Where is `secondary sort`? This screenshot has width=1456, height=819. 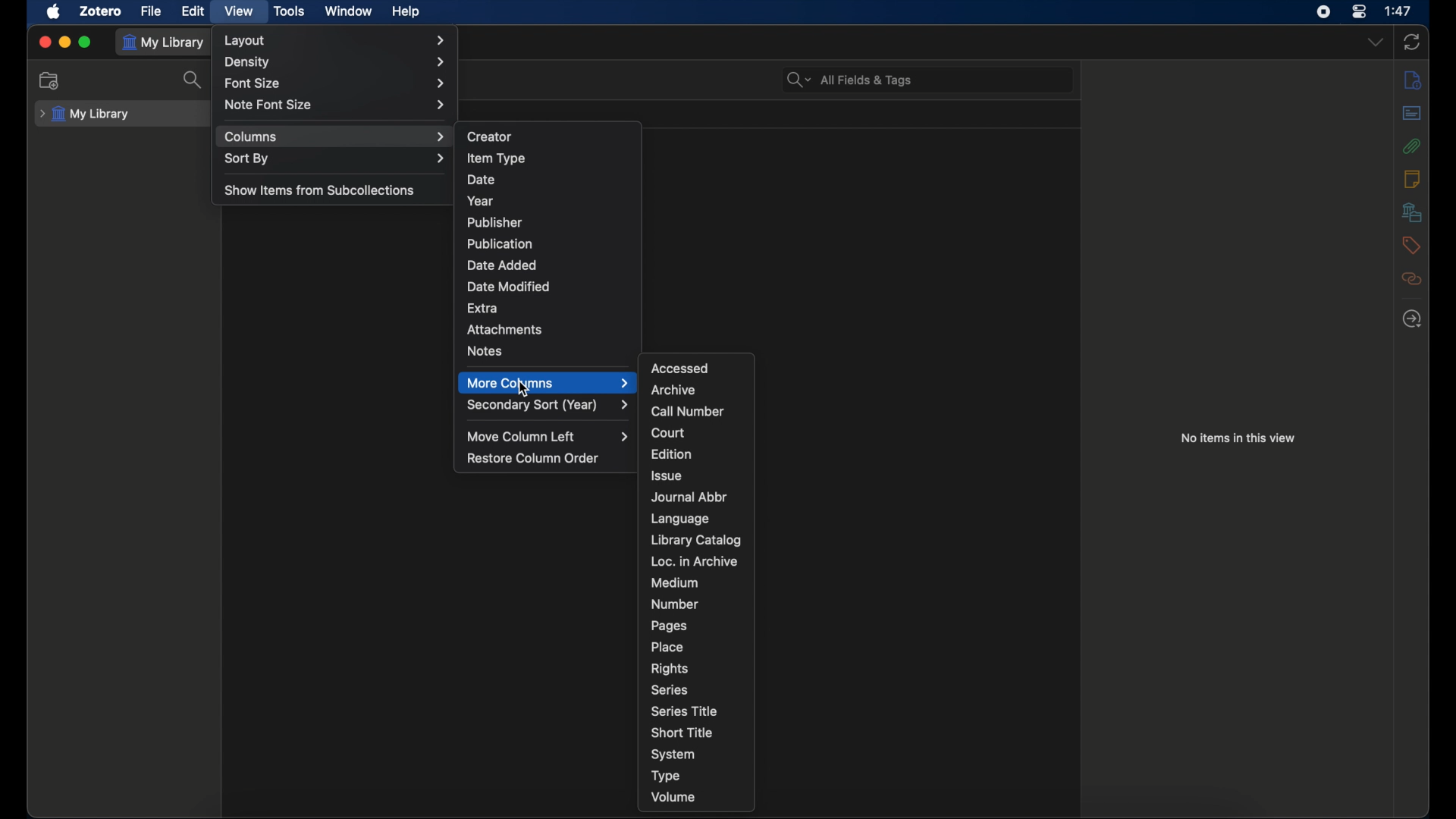 secondary sort is located at coordinates (549, 405).